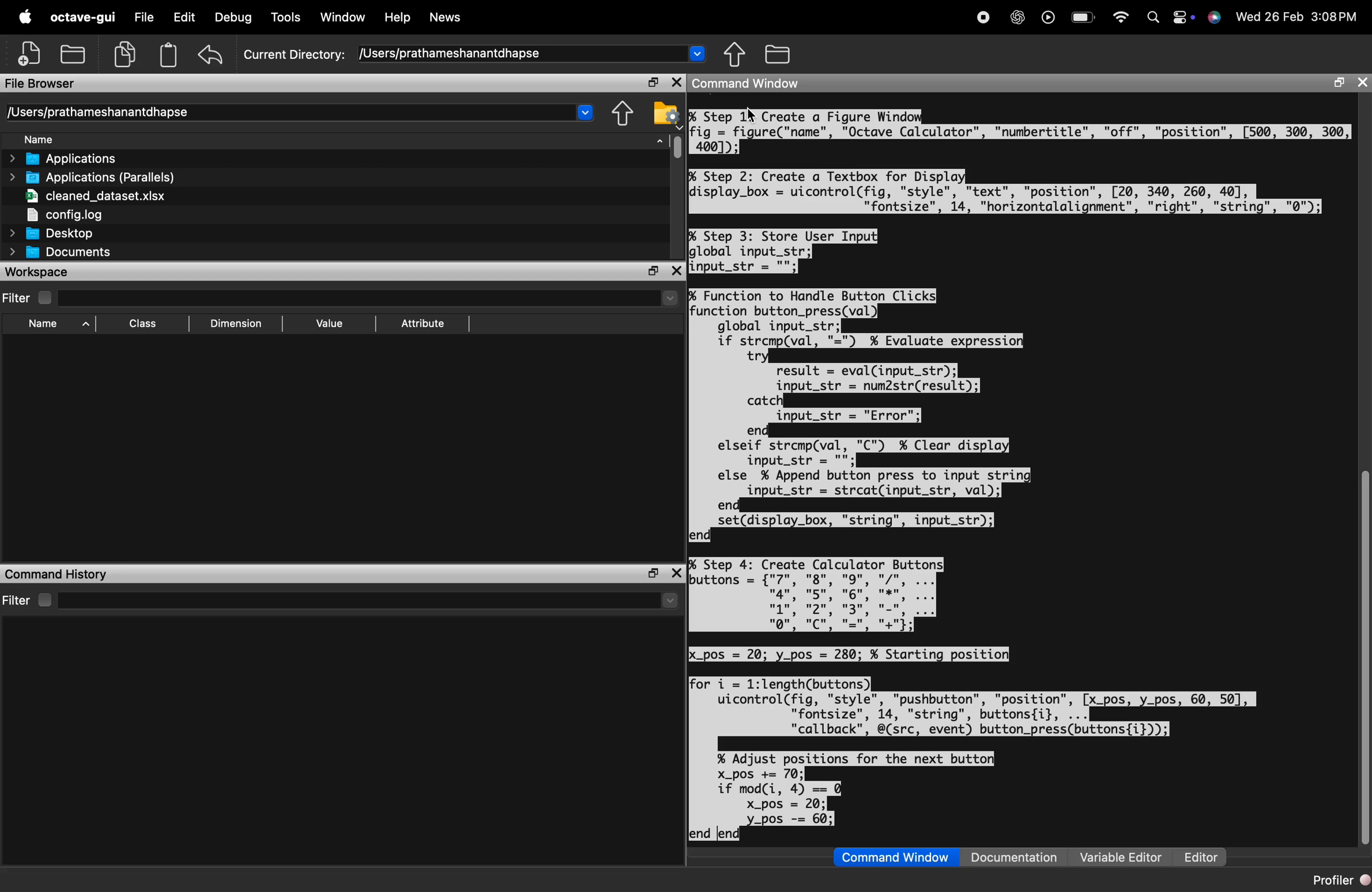 Image resolution: width=1372 pixels, height=892 pixels. Describe the element at coordinates (233, 18) in the screenshot. I see `Debug` at that location.